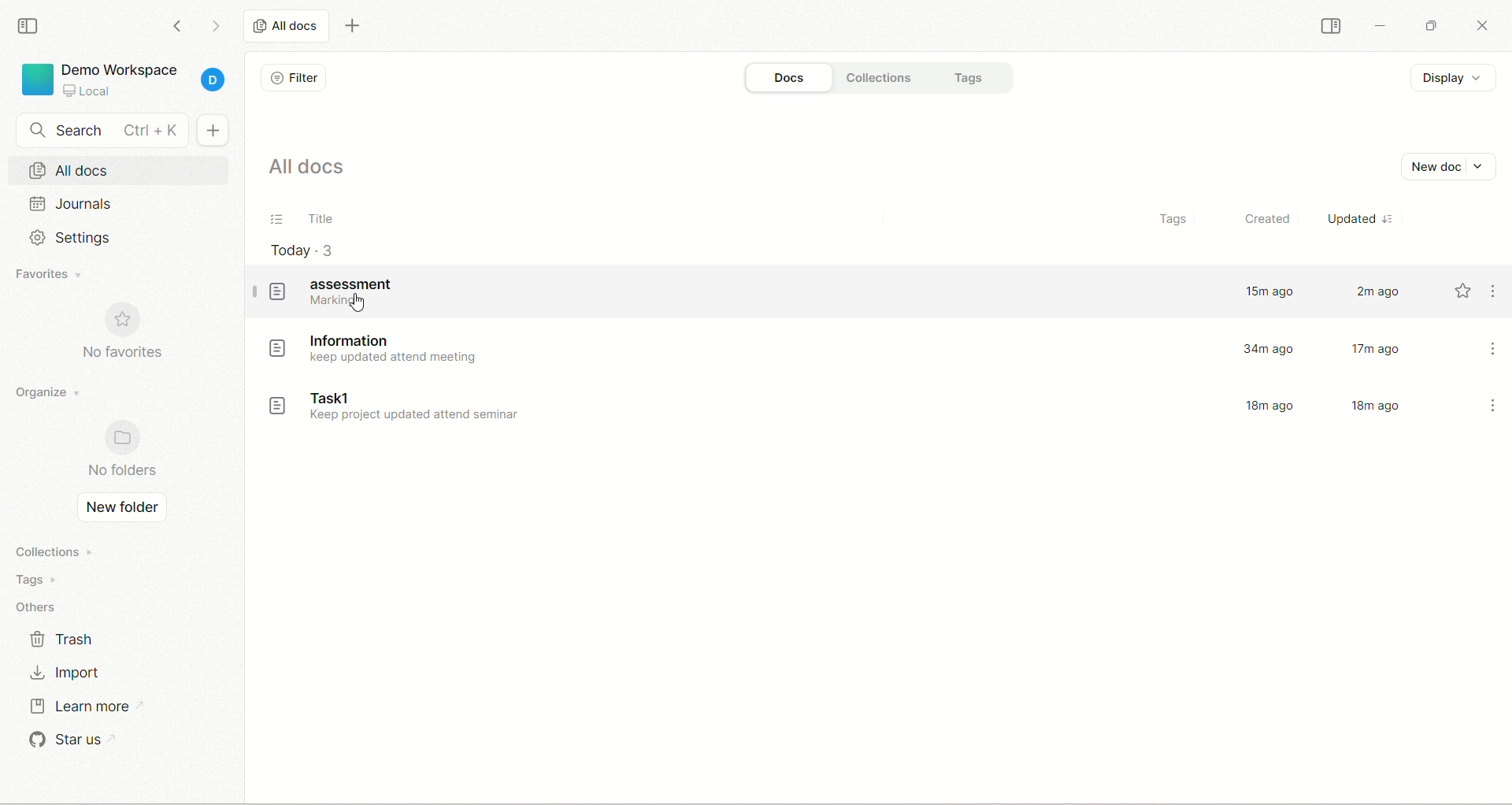  What do you see at coordinates (82, 238) in the screenshot?
I see `settings` at bounding box center [82, 238].